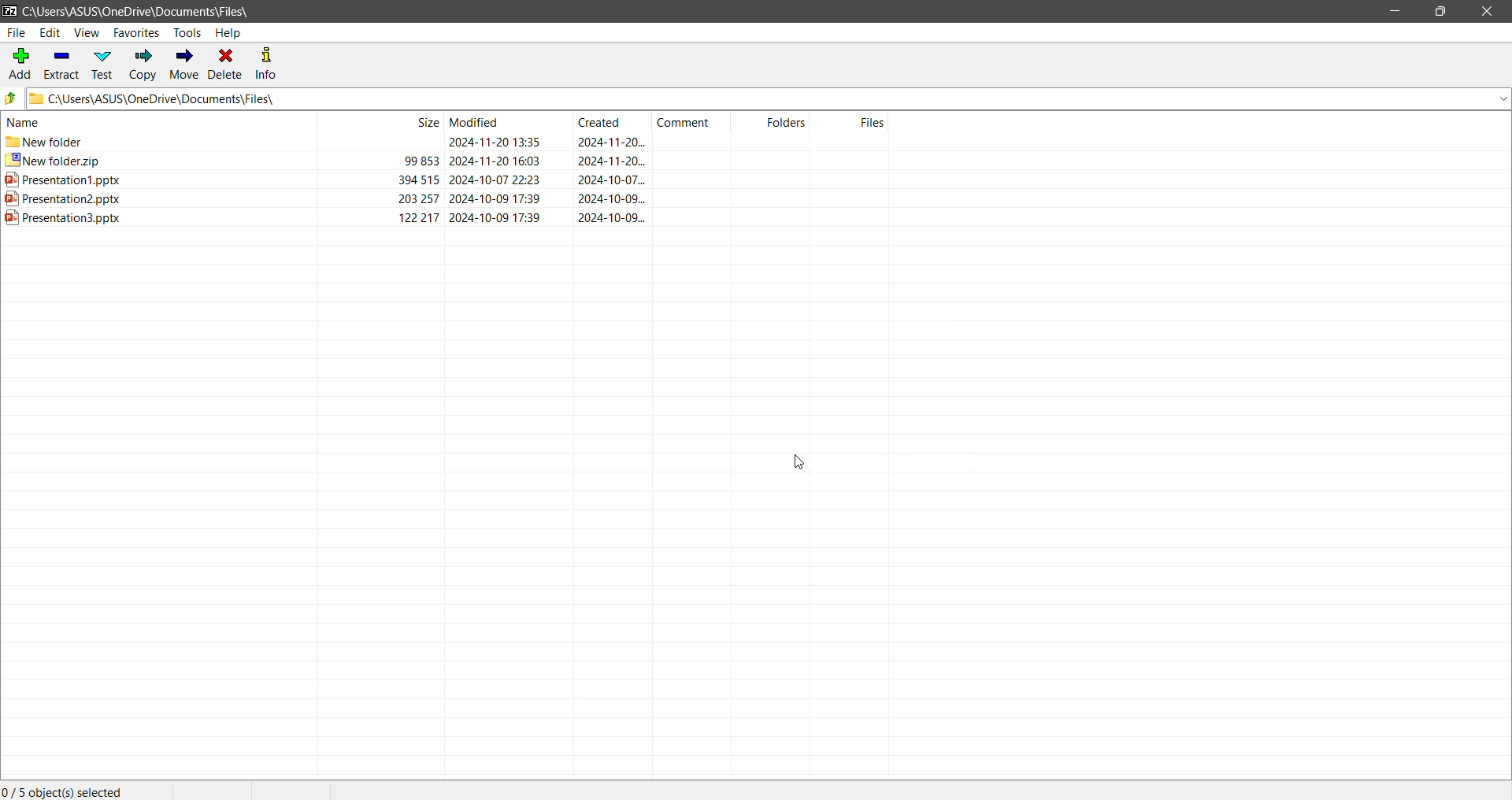 The width and height of the screenshot is (1512, 800). Describe the element at coordinates (104, 63) in the screenshot. I see `Test` at that location.